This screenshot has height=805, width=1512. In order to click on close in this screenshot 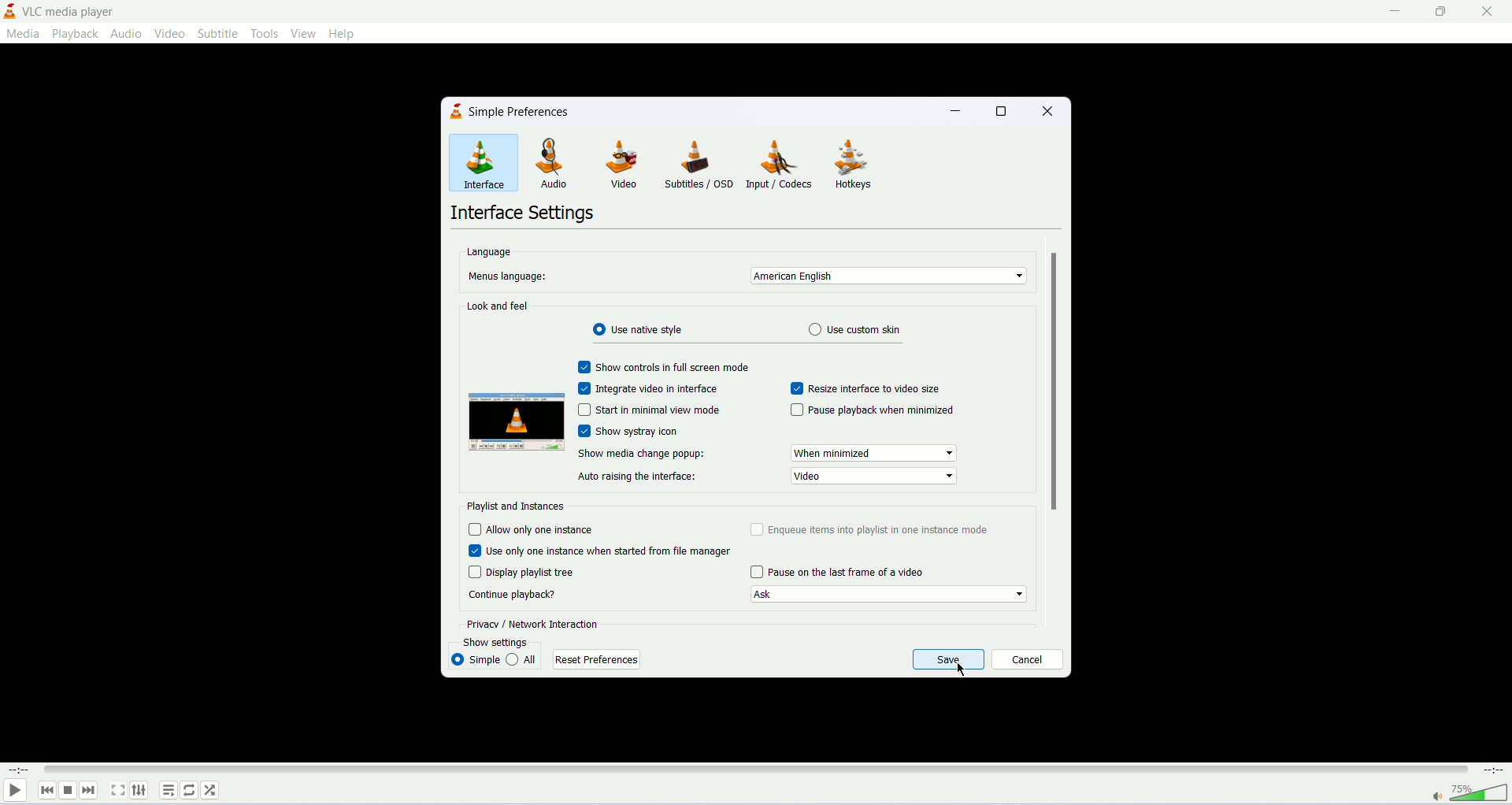, I will do `click(1492, 10)`.